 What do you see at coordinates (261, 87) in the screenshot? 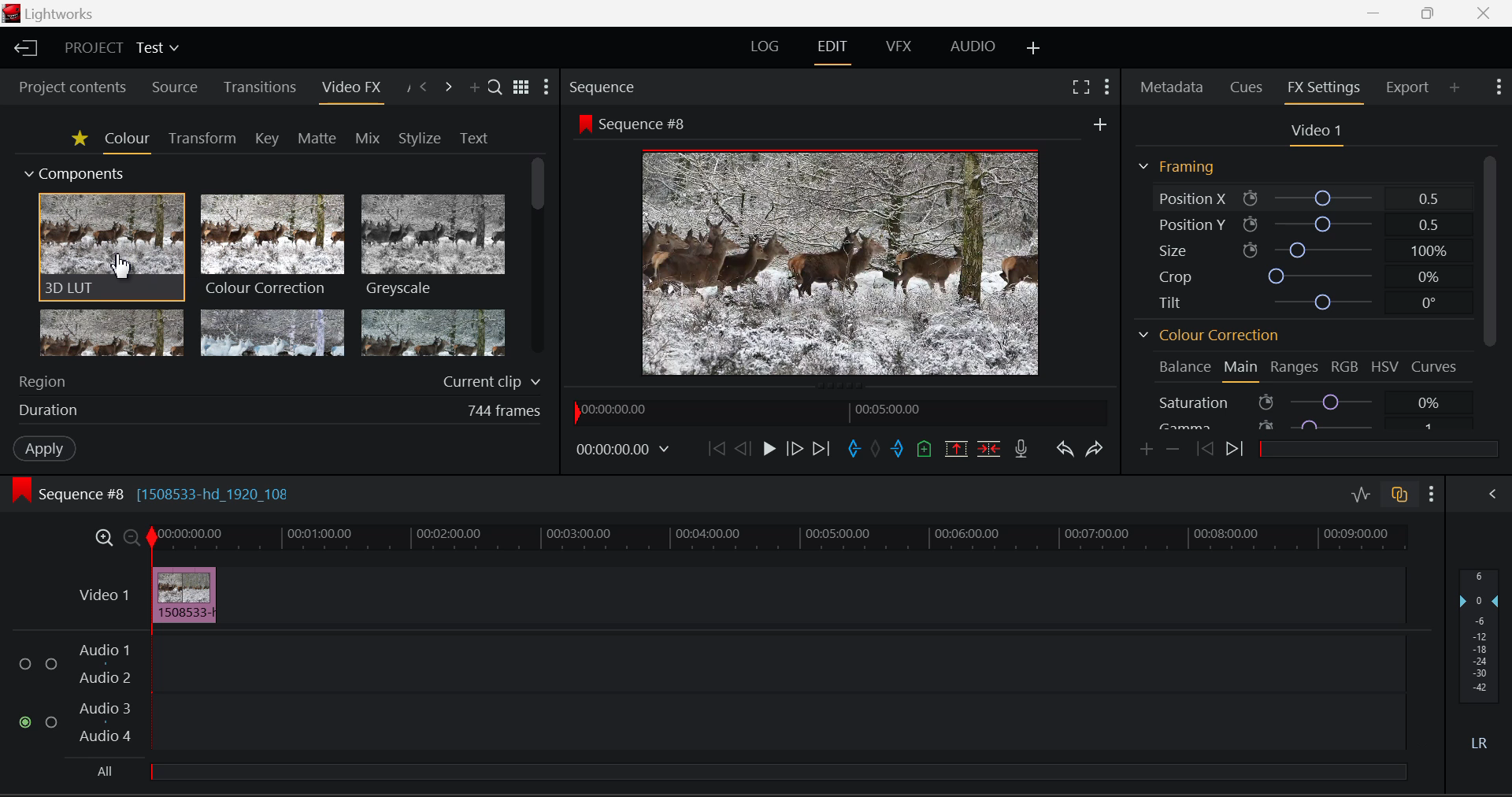
I see `Transitions` at bounding box center [261, 87].